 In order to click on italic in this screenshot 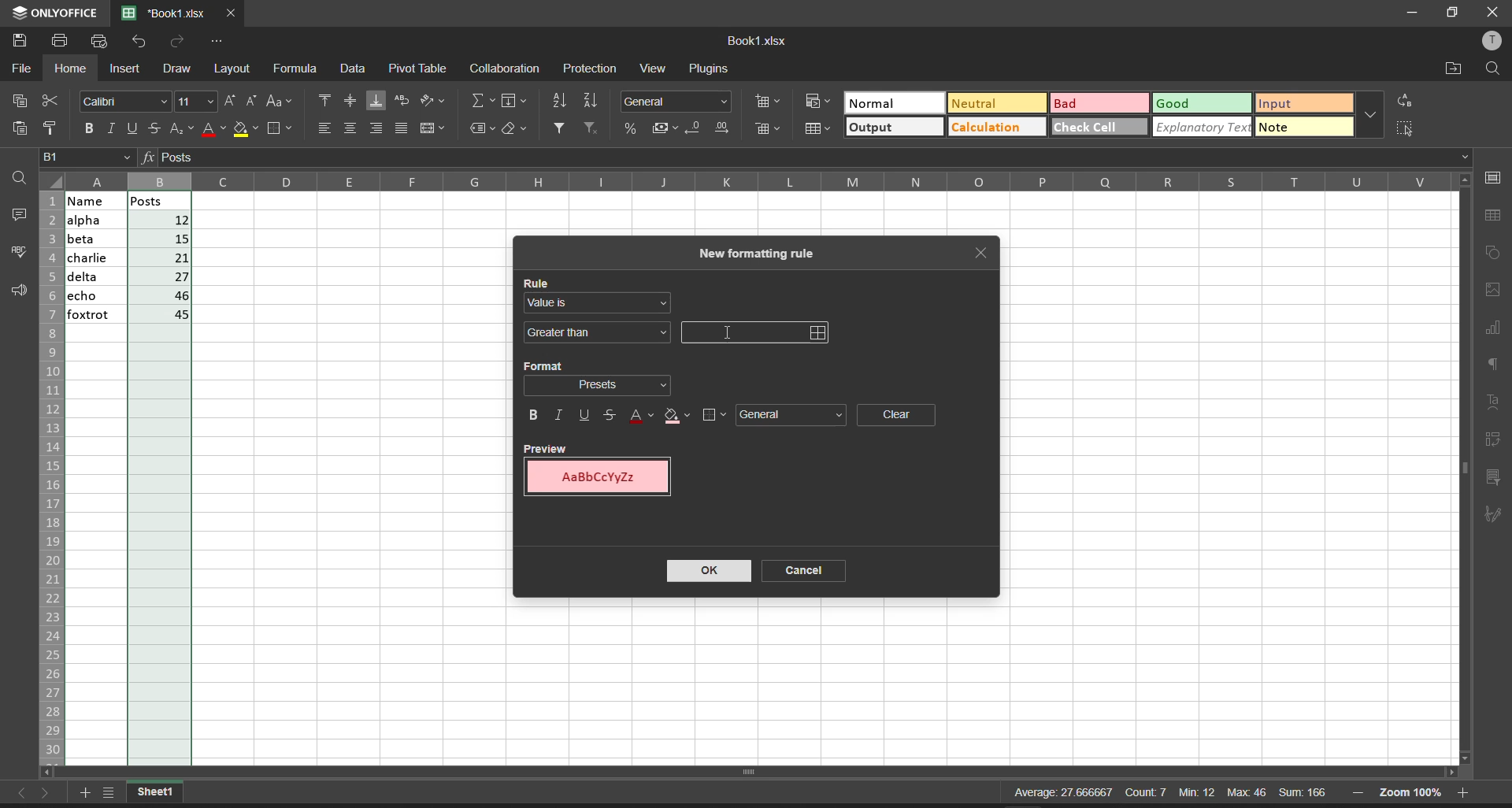, I will do `click(109, 129)`.